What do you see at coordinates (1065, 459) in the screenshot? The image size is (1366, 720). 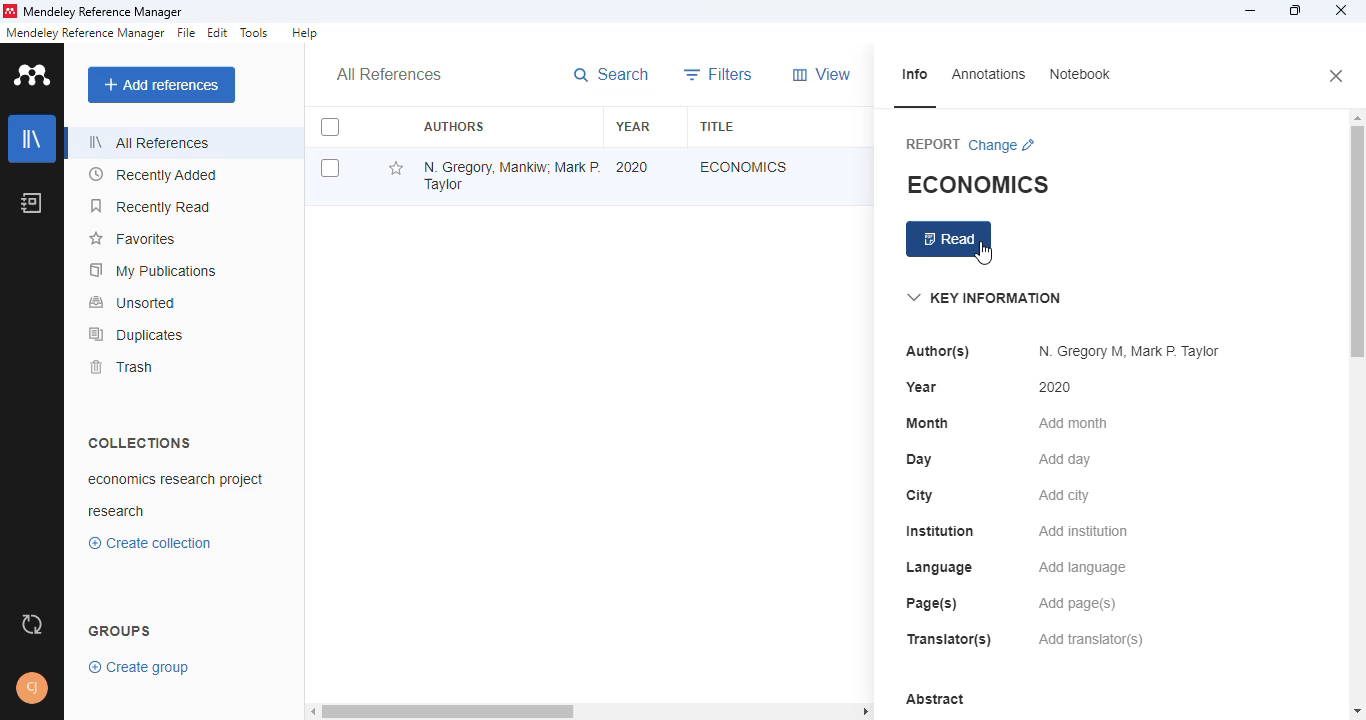 I see `add day` at bounding box center [1065, 459].